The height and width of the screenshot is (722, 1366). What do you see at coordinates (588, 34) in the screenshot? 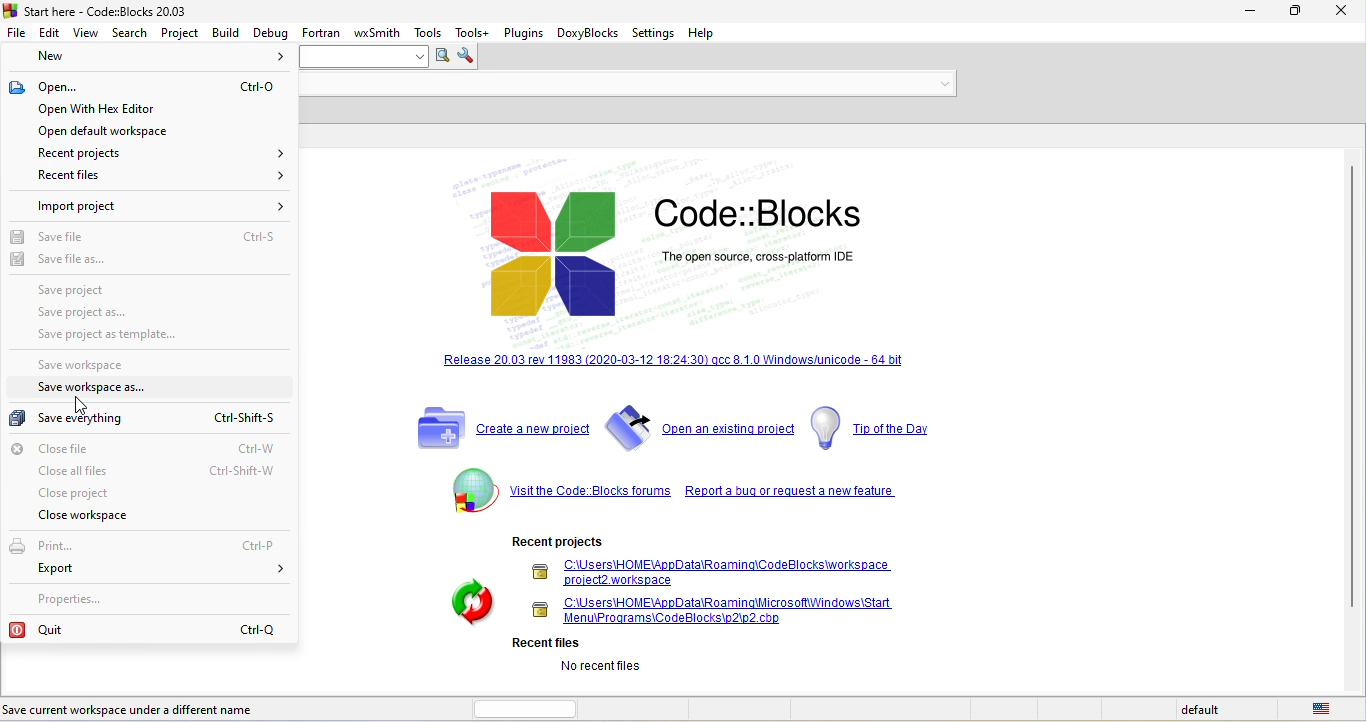
I see `doxyblocks` at bounding box center [588, 34].